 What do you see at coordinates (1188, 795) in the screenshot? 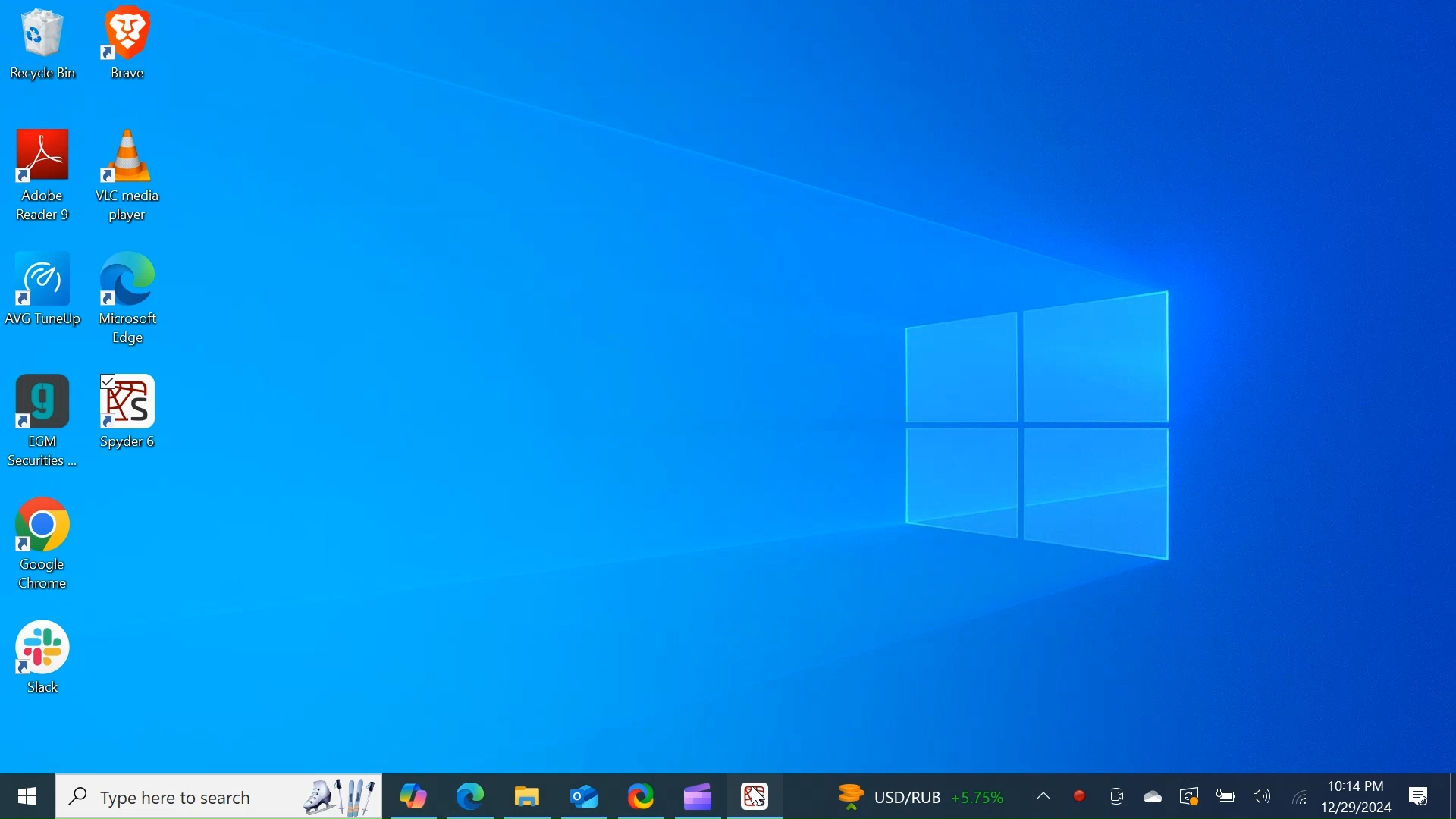
I see `Restart Updates` at bounding box center [1188, 795].